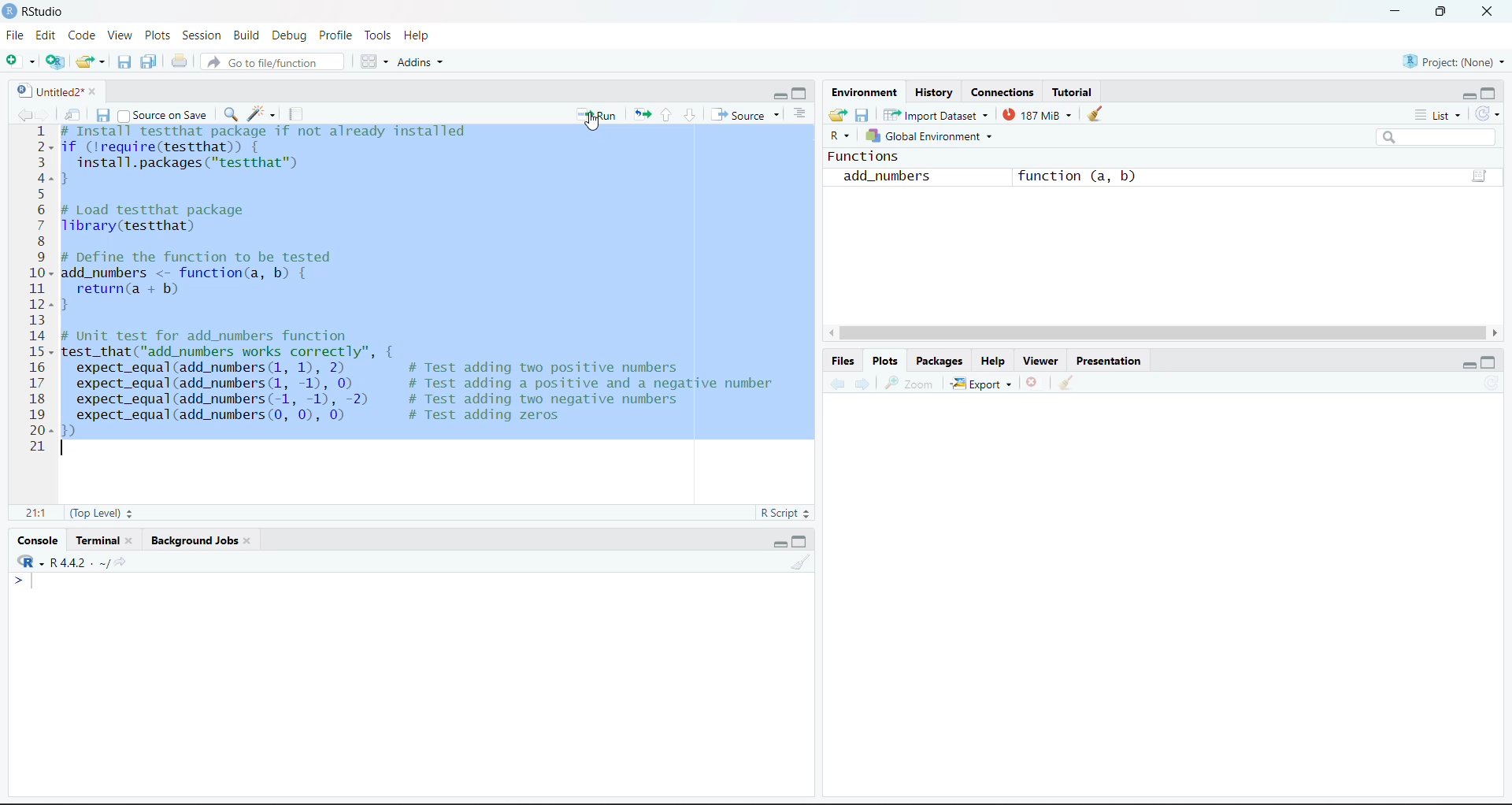 This screenshot has width=1512, height=805. Describe the element at coordinates (56, 561) in the screenshot. I see `R.4.4.2 ` at that location.